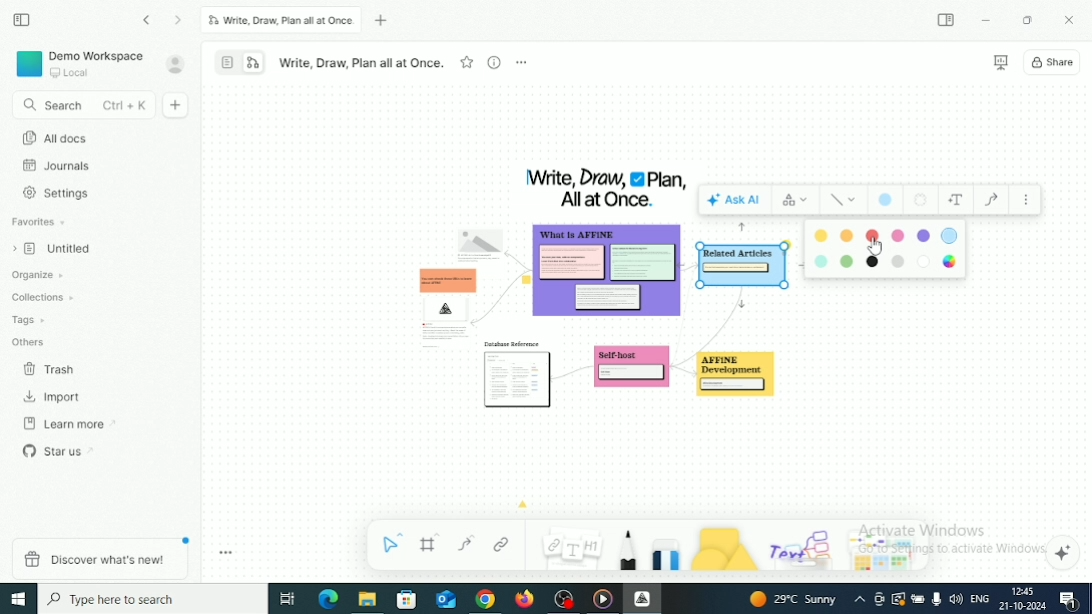  What do you see at coordinates (1026, 200) in the screenshot?
I see `More` at bounding box center [1026, 200].